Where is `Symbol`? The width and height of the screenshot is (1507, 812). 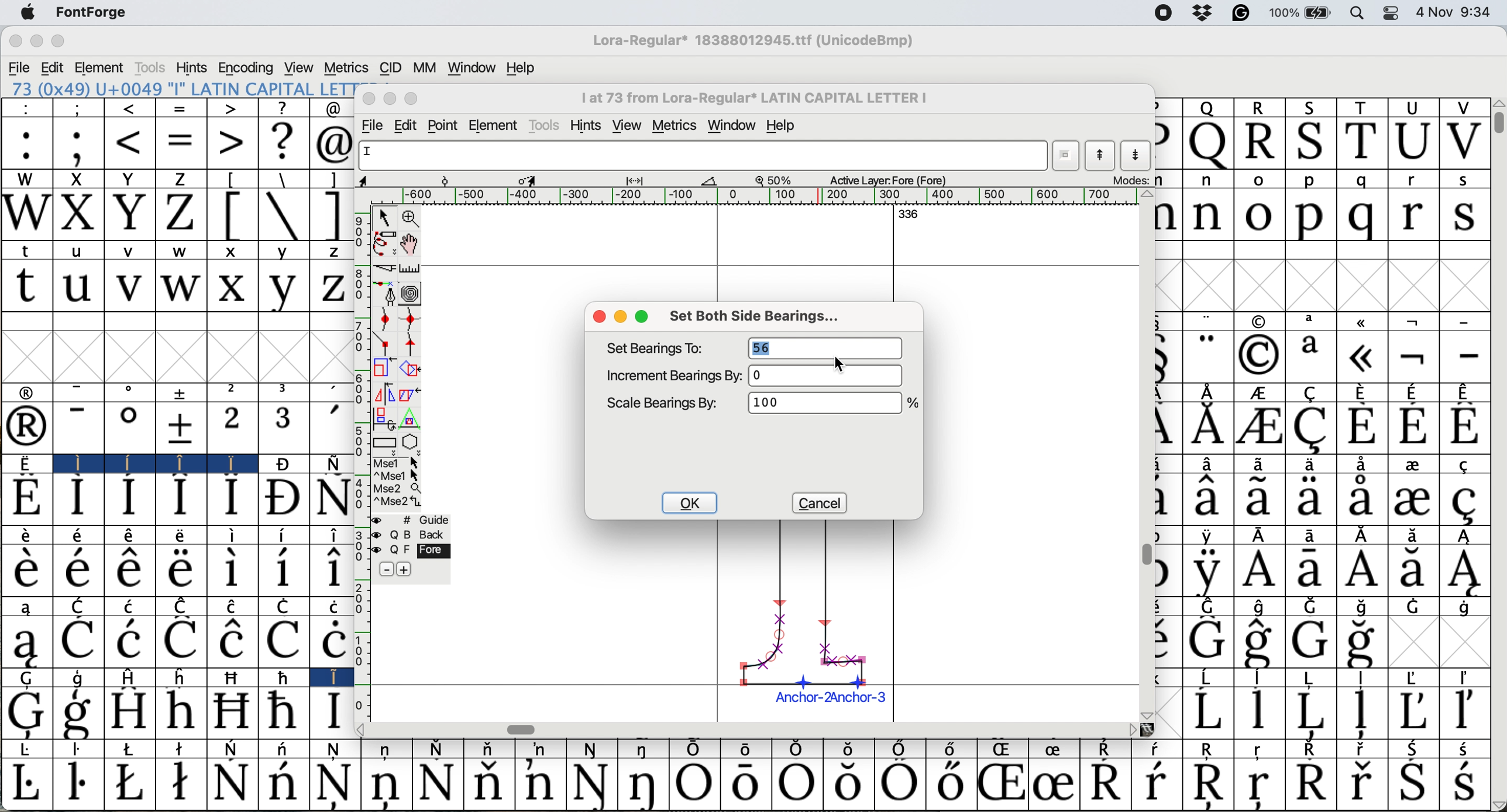
Symbol is located at coordinates (332, 712).